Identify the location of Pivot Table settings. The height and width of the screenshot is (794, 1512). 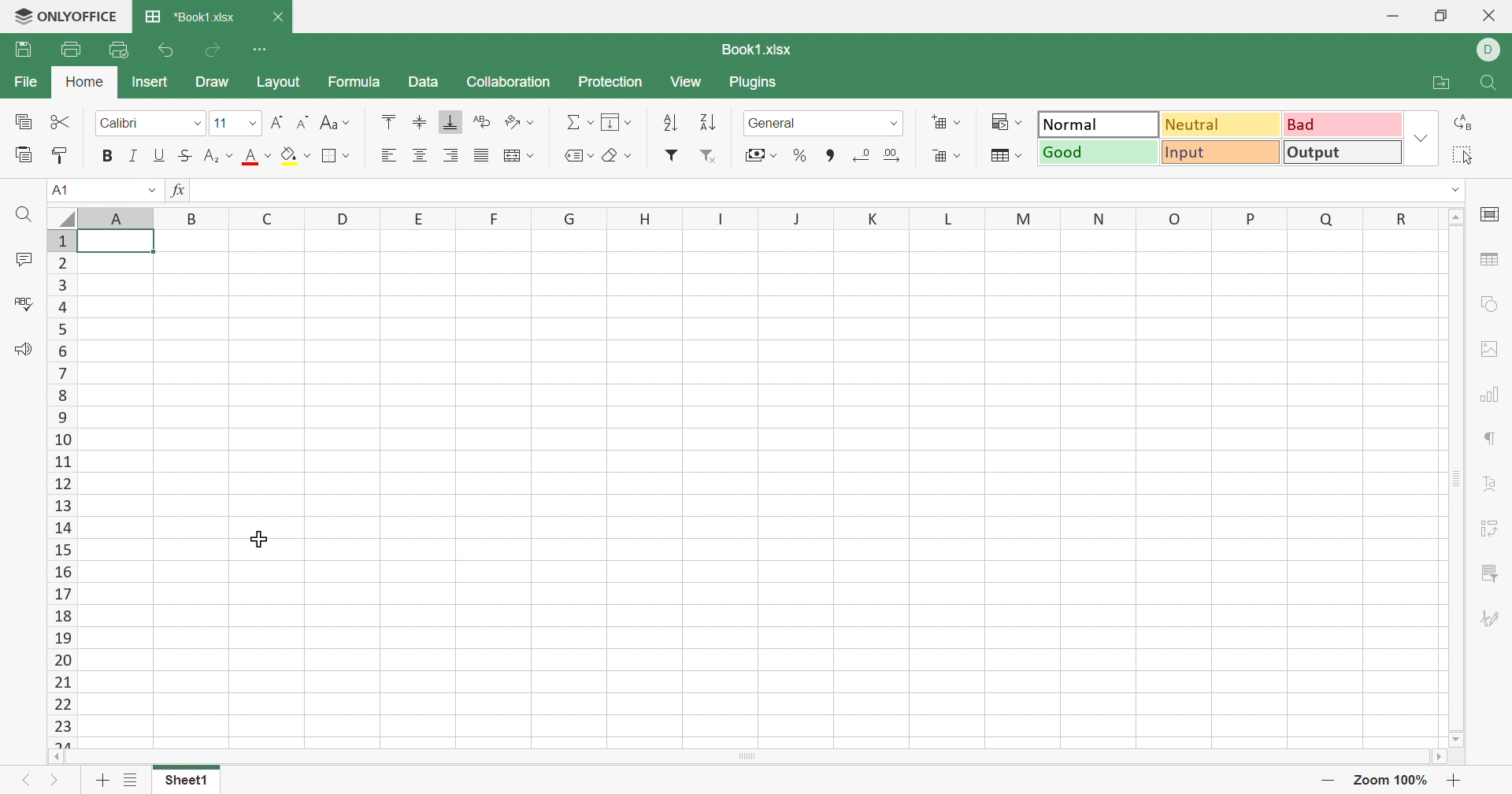
(1492, 529).